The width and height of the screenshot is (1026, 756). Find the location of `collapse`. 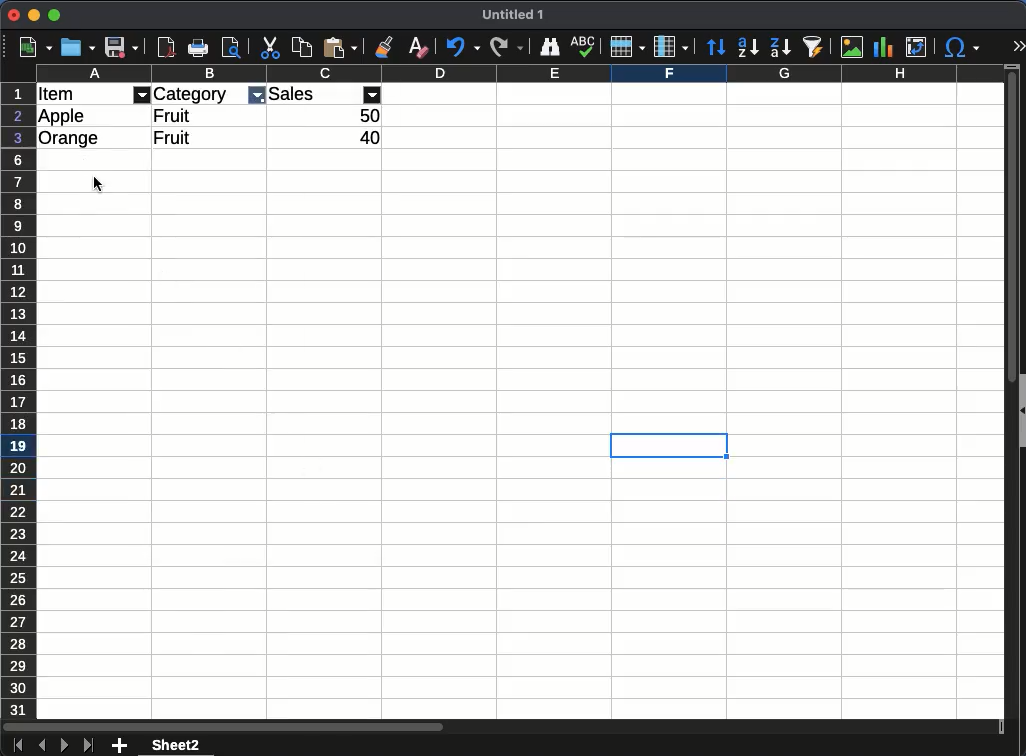

collapse is located at coordinates (1020, 409).